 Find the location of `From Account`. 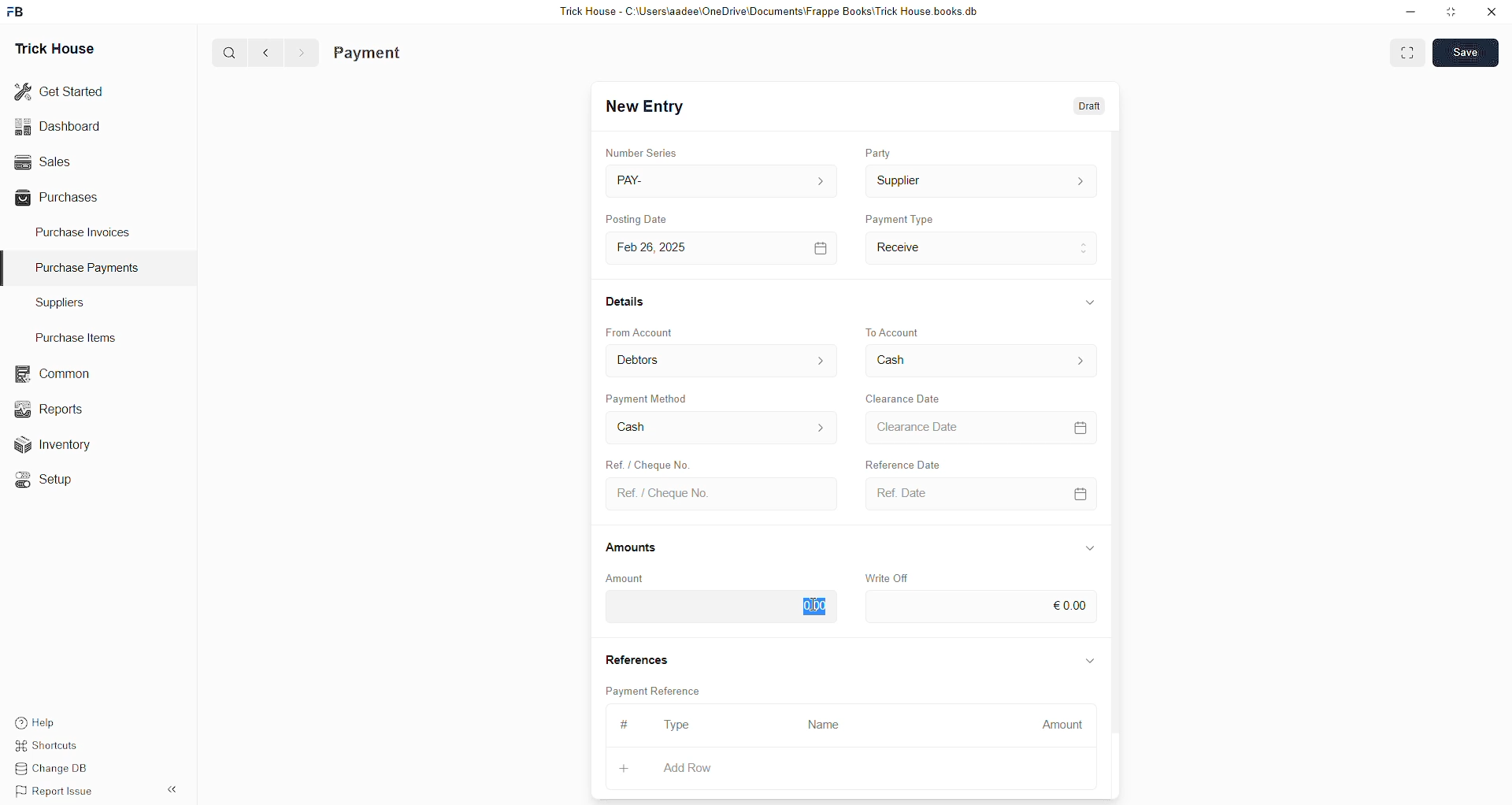

From Account is located at coordinates (642, 331).